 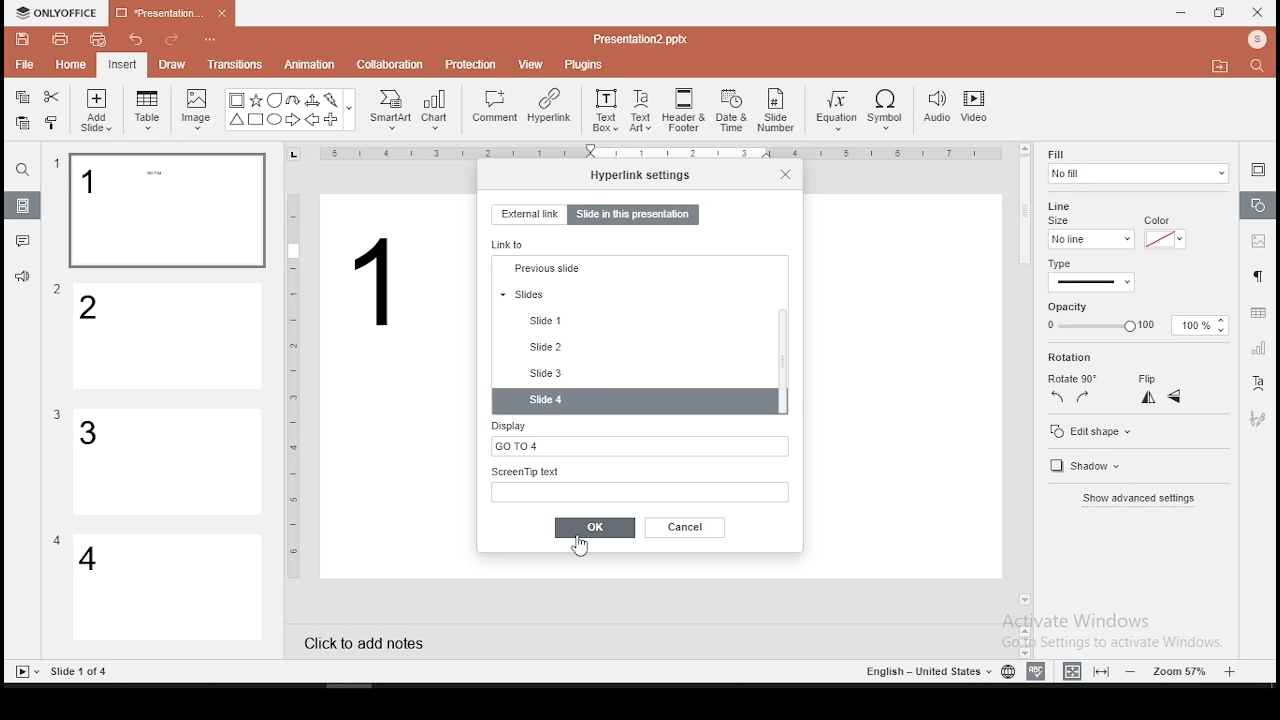 What do you see at coordinates (1137, 166) in the screenshot?
I see `fill` at bounding box center [1137, 166].